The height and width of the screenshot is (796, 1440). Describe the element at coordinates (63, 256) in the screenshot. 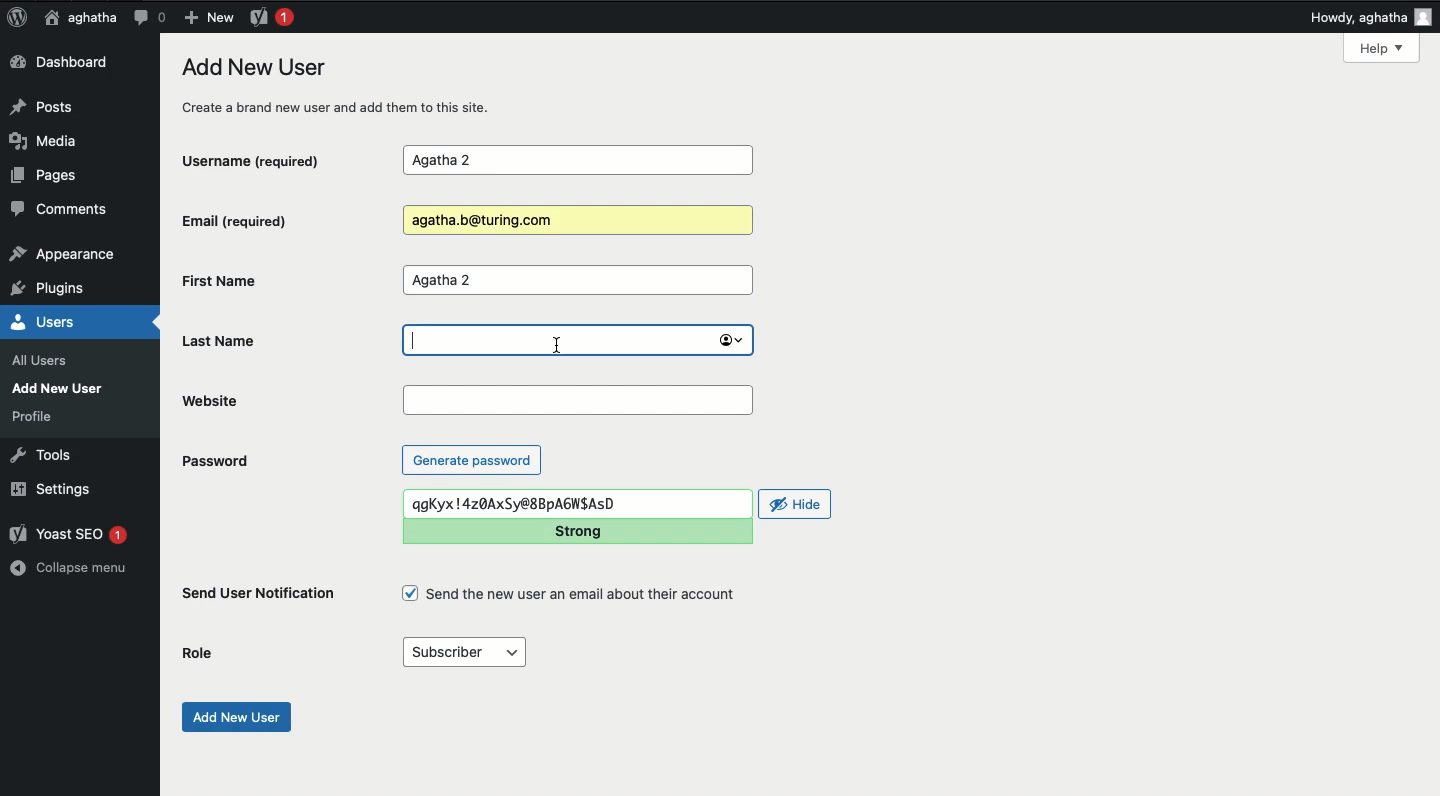

I see `appearance` at that location.